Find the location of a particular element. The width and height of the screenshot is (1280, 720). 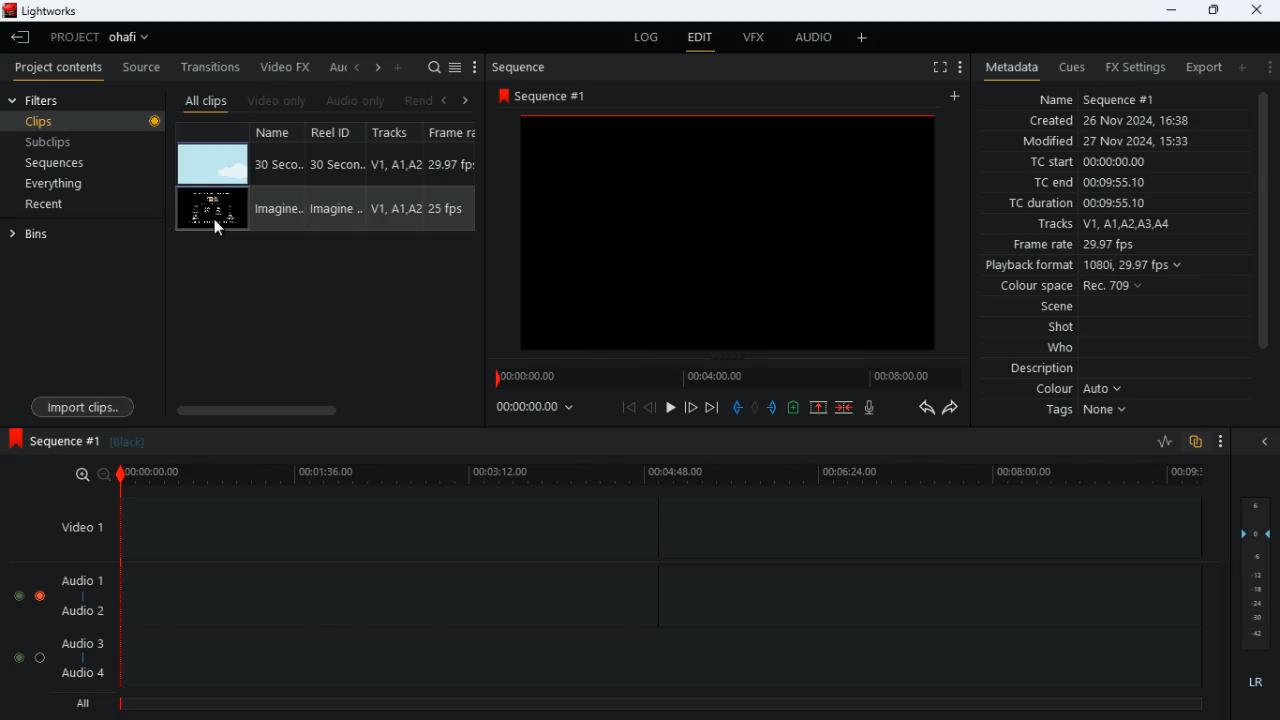

audio 4 is located at coordinates (86, 677).